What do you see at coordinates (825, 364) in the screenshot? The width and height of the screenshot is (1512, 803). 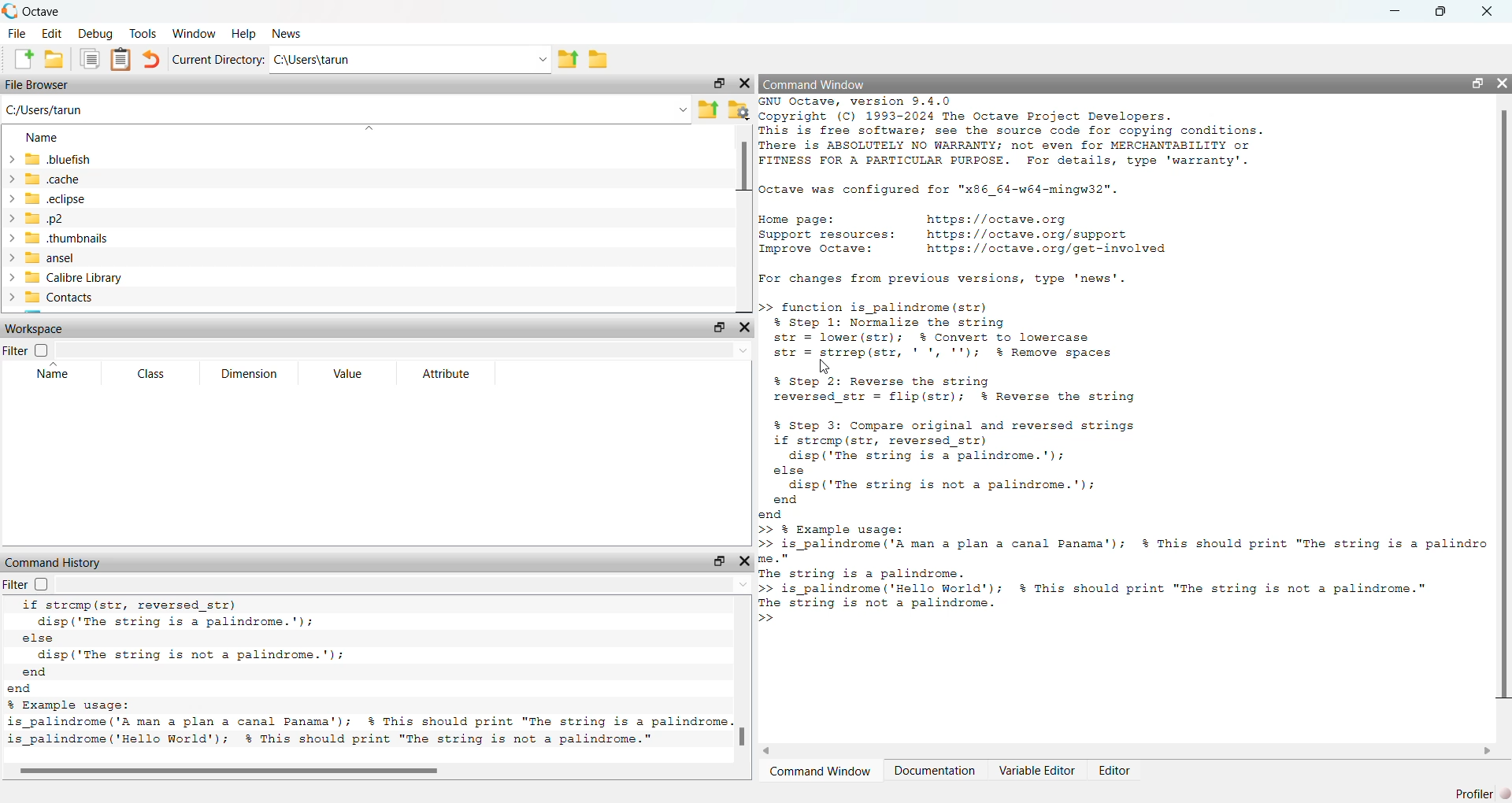 I see `cursor` at bounding box center [825, 364].